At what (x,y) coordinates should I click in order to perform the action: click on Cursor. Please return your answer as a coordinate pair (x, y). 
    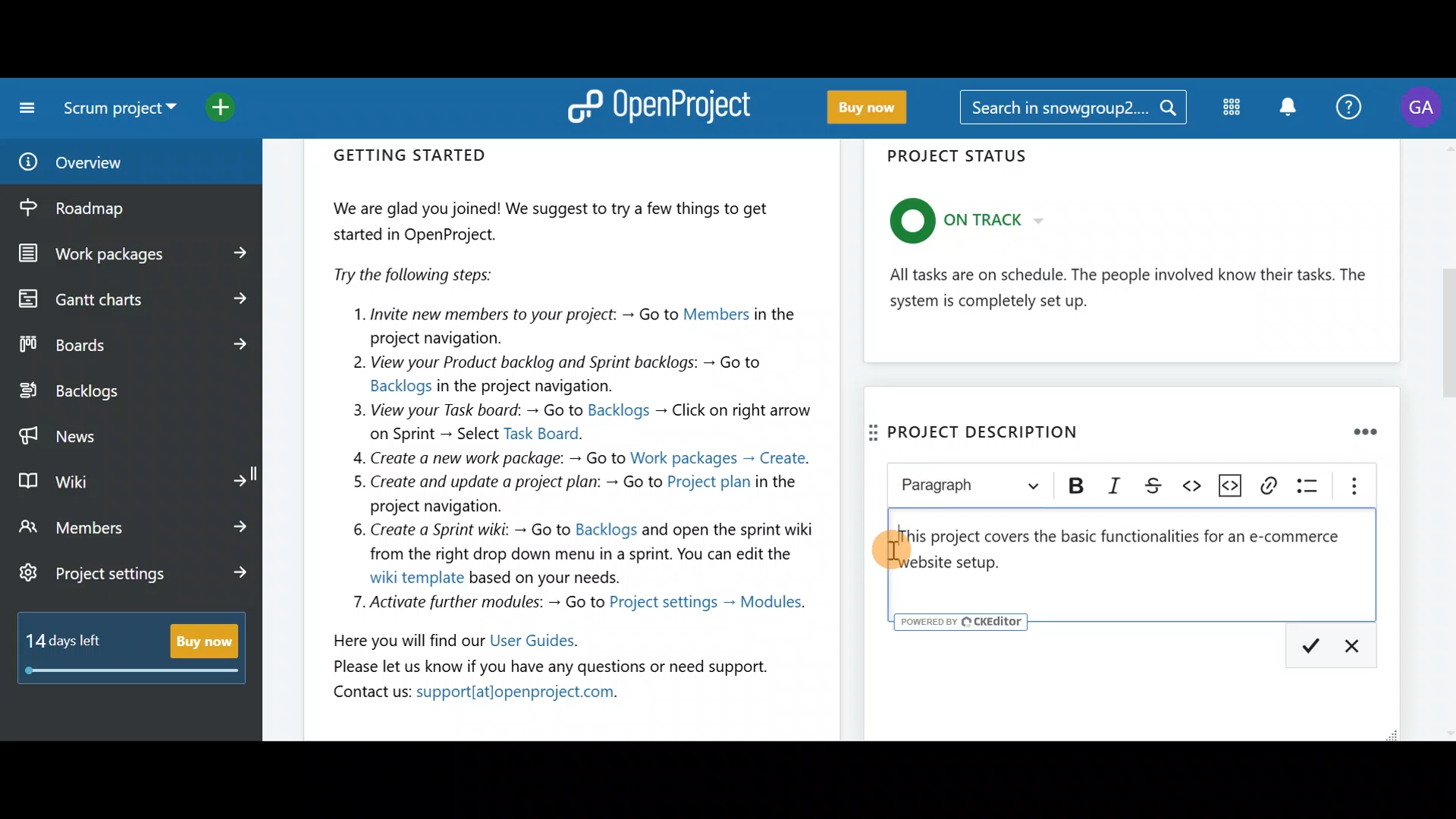
    Looking at the image, I should click on (891, 550).